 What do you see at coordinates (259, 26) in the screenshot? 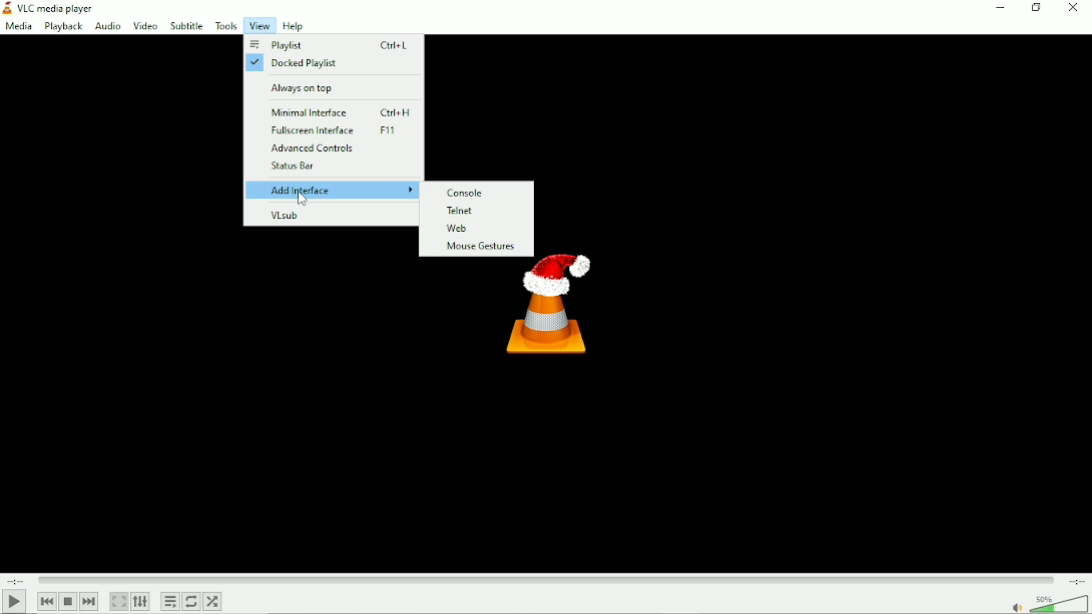
I see `View` at bounding box center [259, 26].